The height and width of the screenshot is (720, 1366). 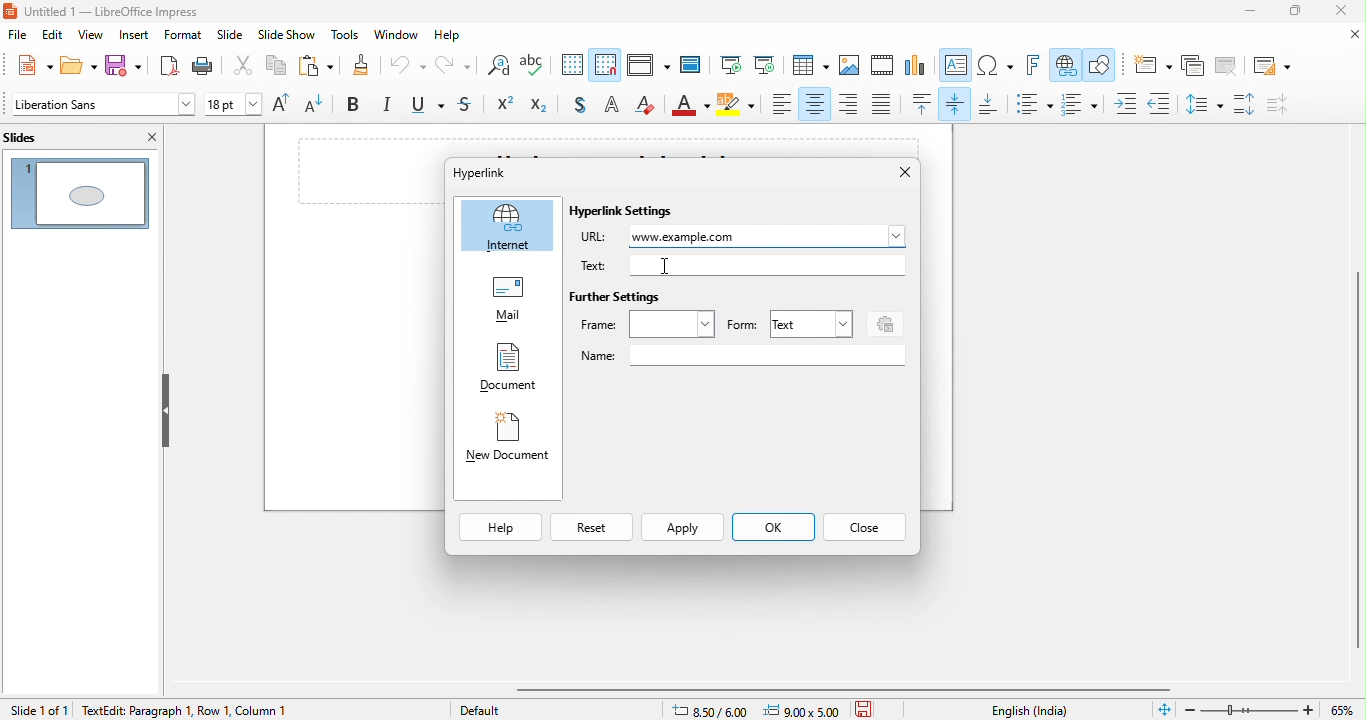 What do you see at coordinates (647, 67) in the screenshot?
I see `display view` at bounding box center [647, 67].